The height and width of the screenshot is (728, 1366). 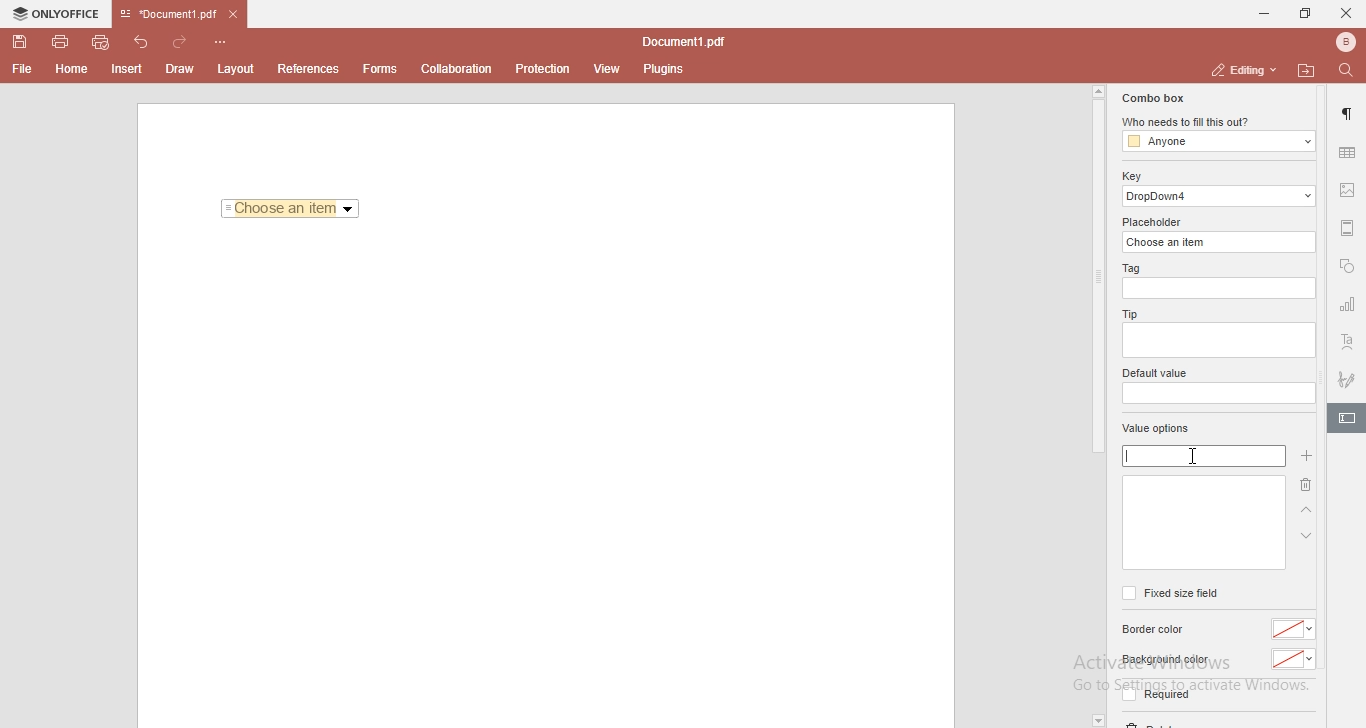 What do you see at coordinates (1241, 69) in the screenshot?
I see `editing` at bounding box center [1241, 69].